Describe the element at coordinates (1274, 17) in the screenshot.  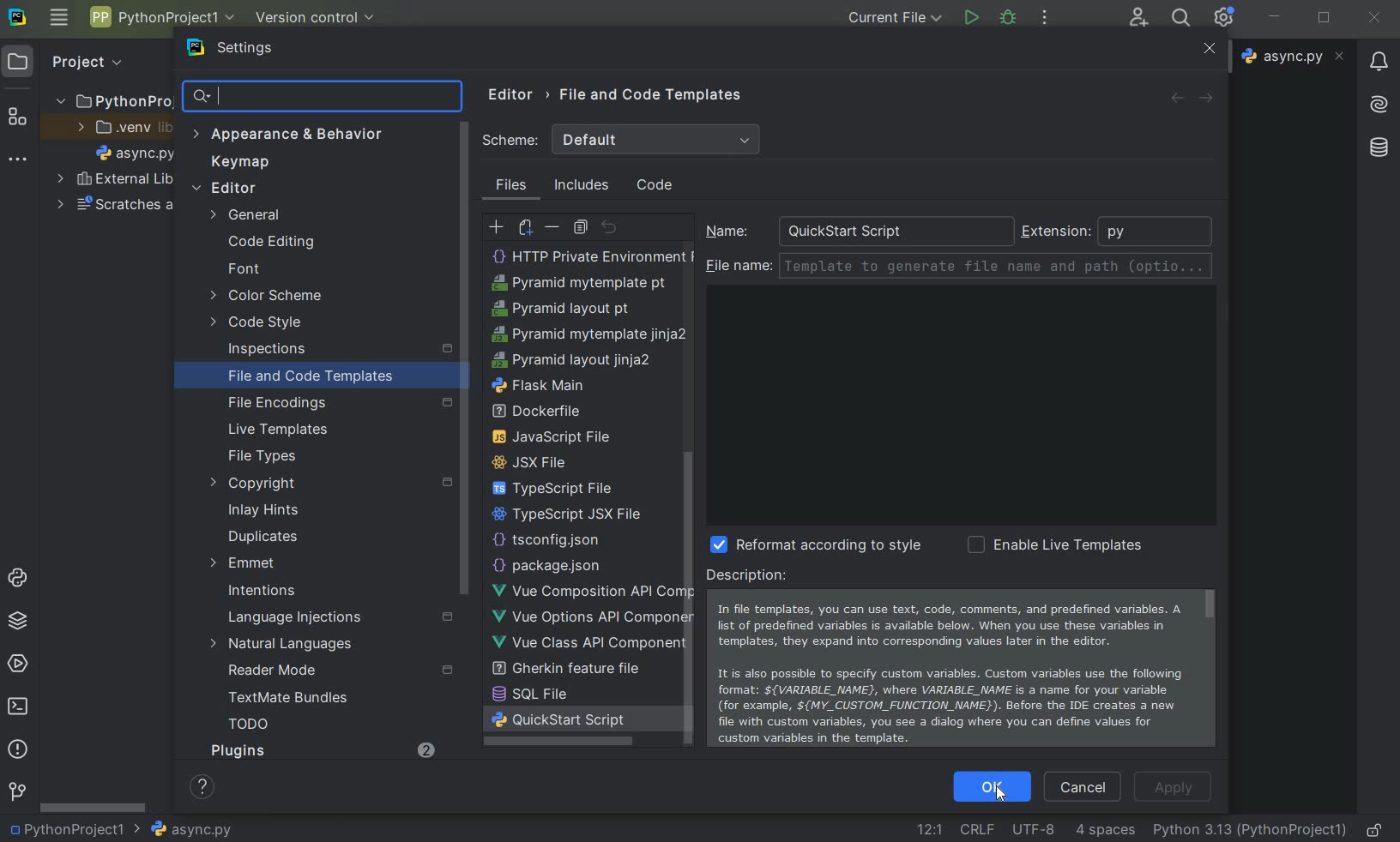
I see `minimize` at that location.